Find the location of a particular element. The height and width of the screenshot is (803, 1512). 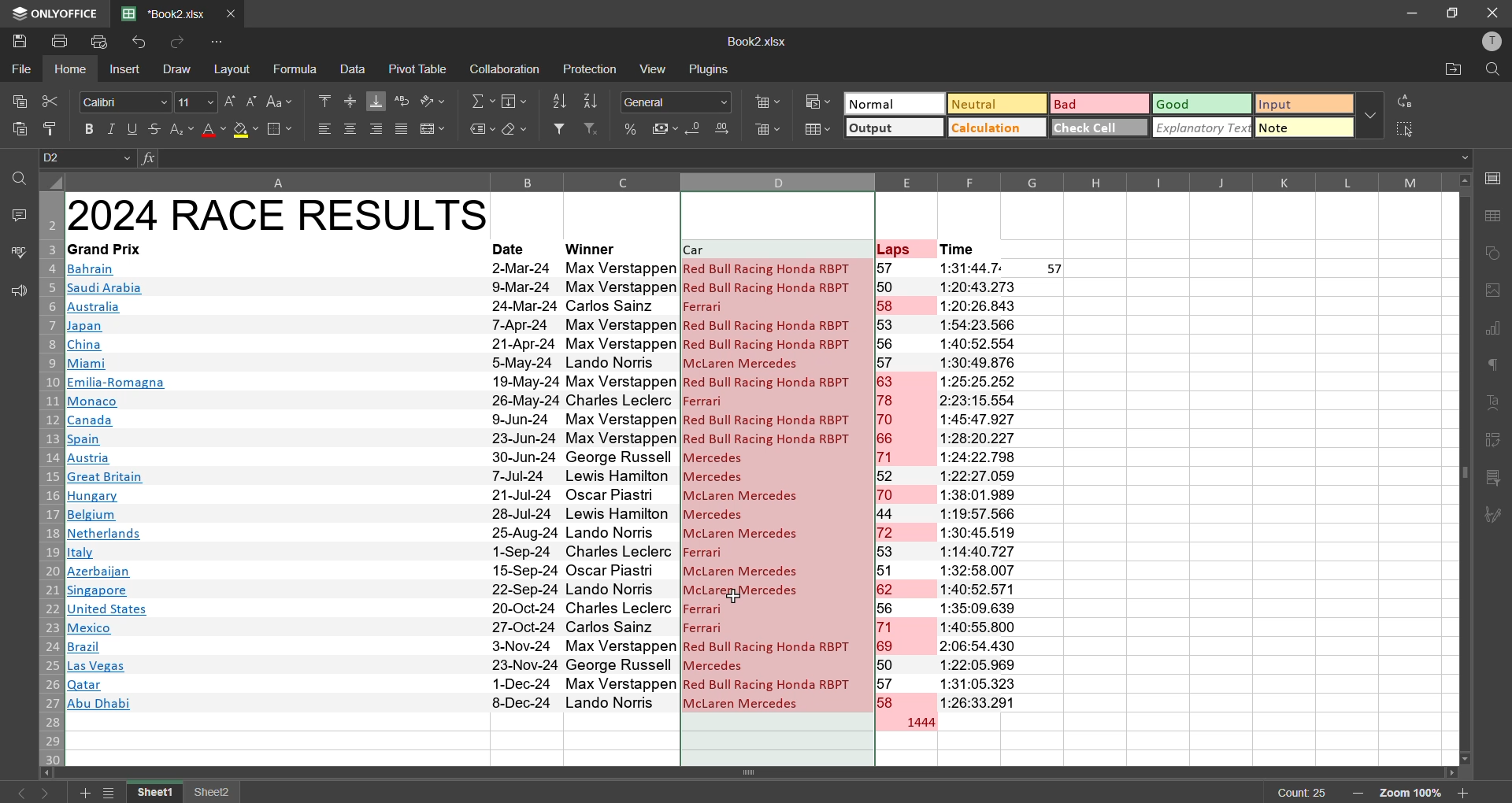

total laps is located at coordinates (918, 723).